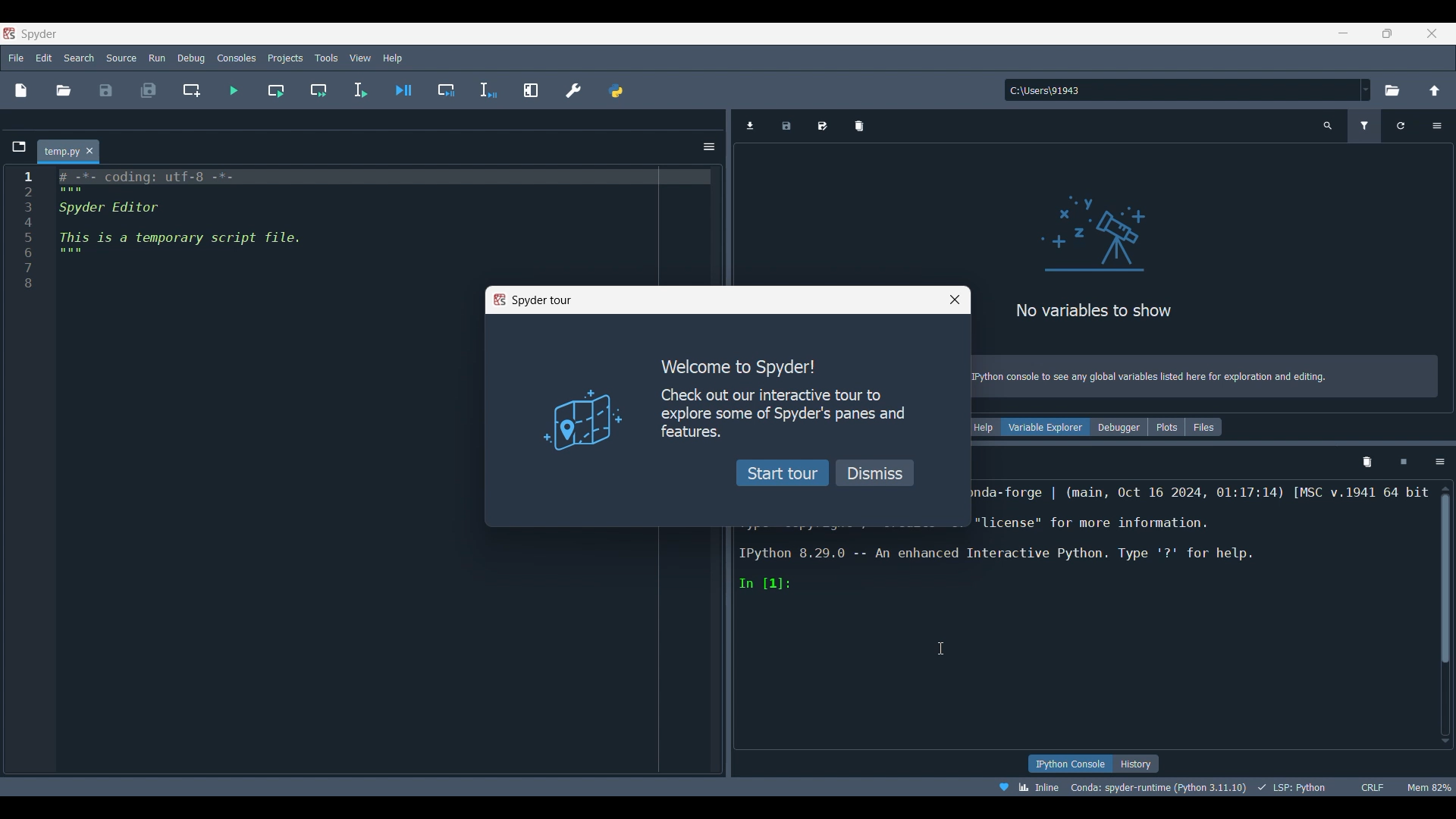 This screenshot has width=1456, height=819. Describe the element at coordinates (1441, 127) in the screenshot. I see `Options` at that location.